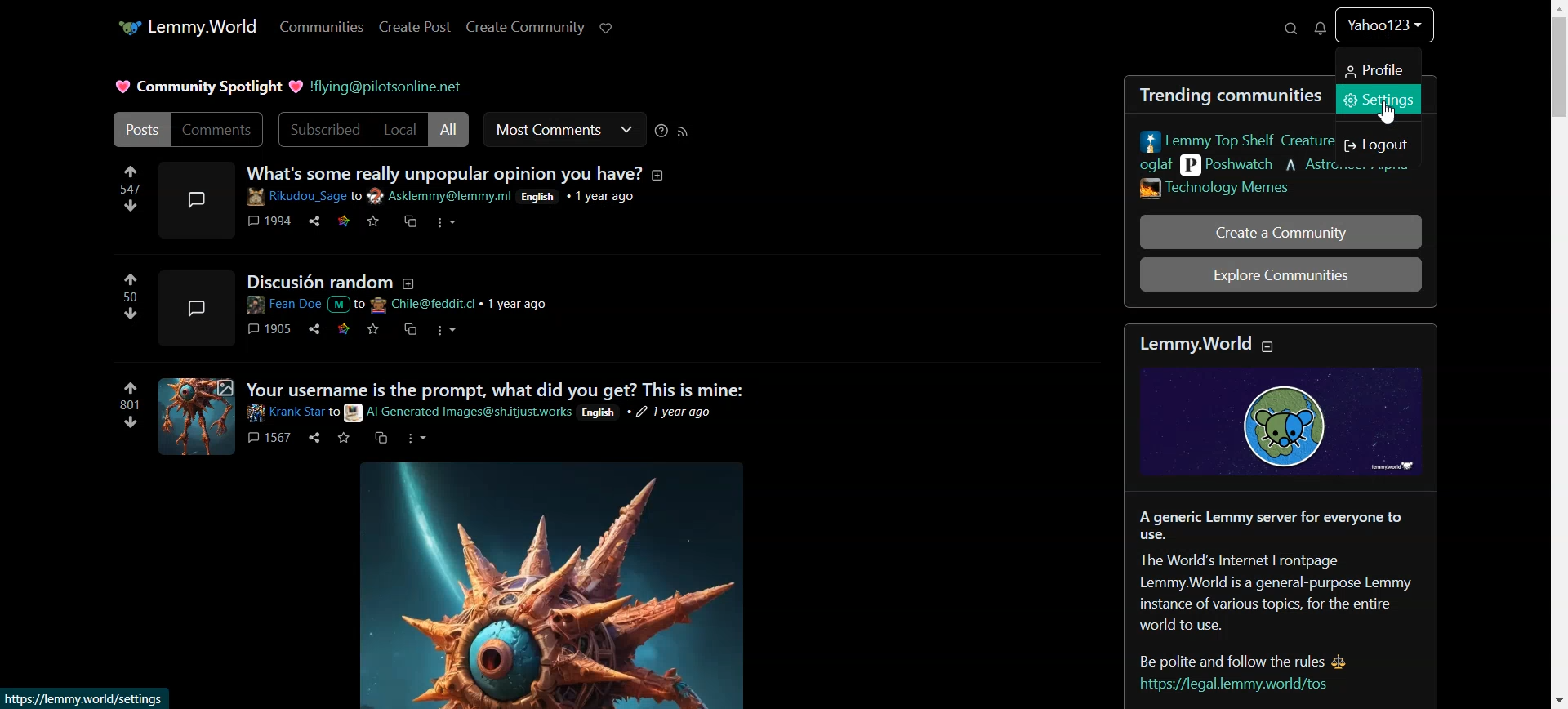  Describe the element at coordinates (400, 130) in the screenshot. I see `Local` at that location.